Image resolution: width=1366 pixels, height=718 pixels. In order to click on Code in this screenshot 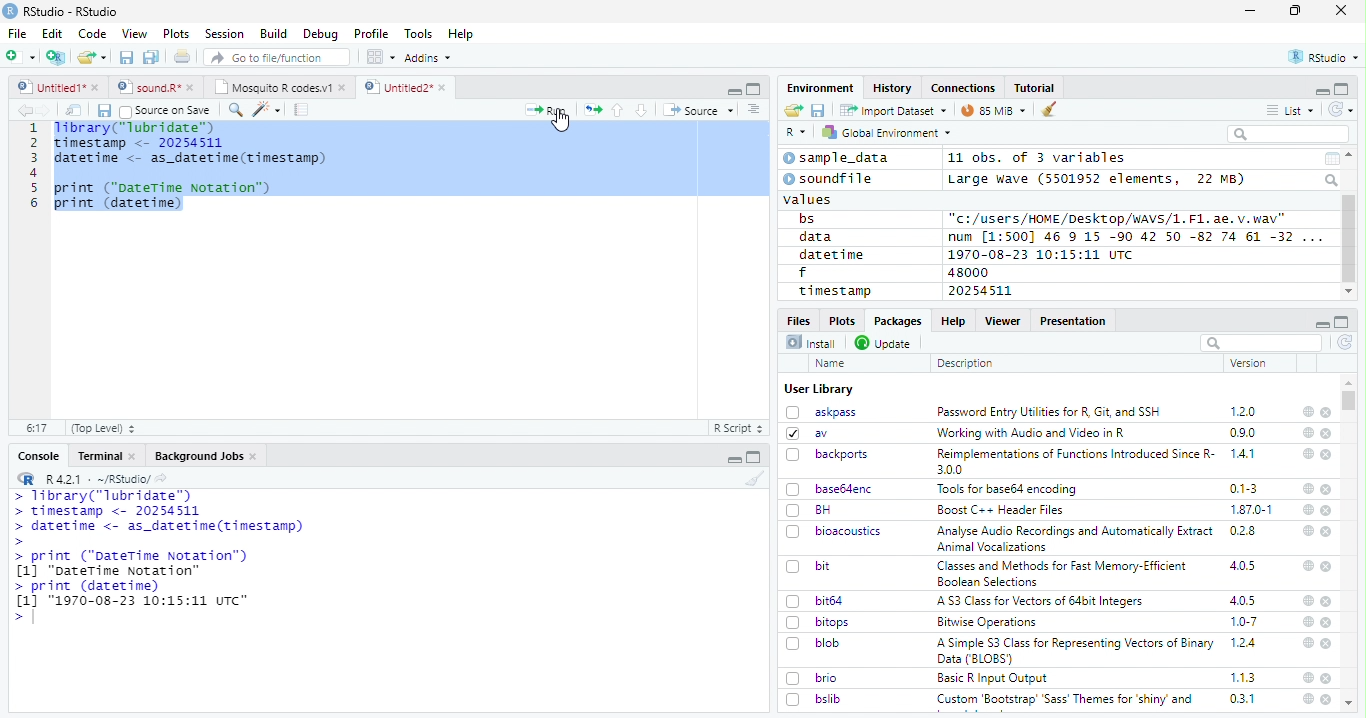, I will do `click(91, 34)`.